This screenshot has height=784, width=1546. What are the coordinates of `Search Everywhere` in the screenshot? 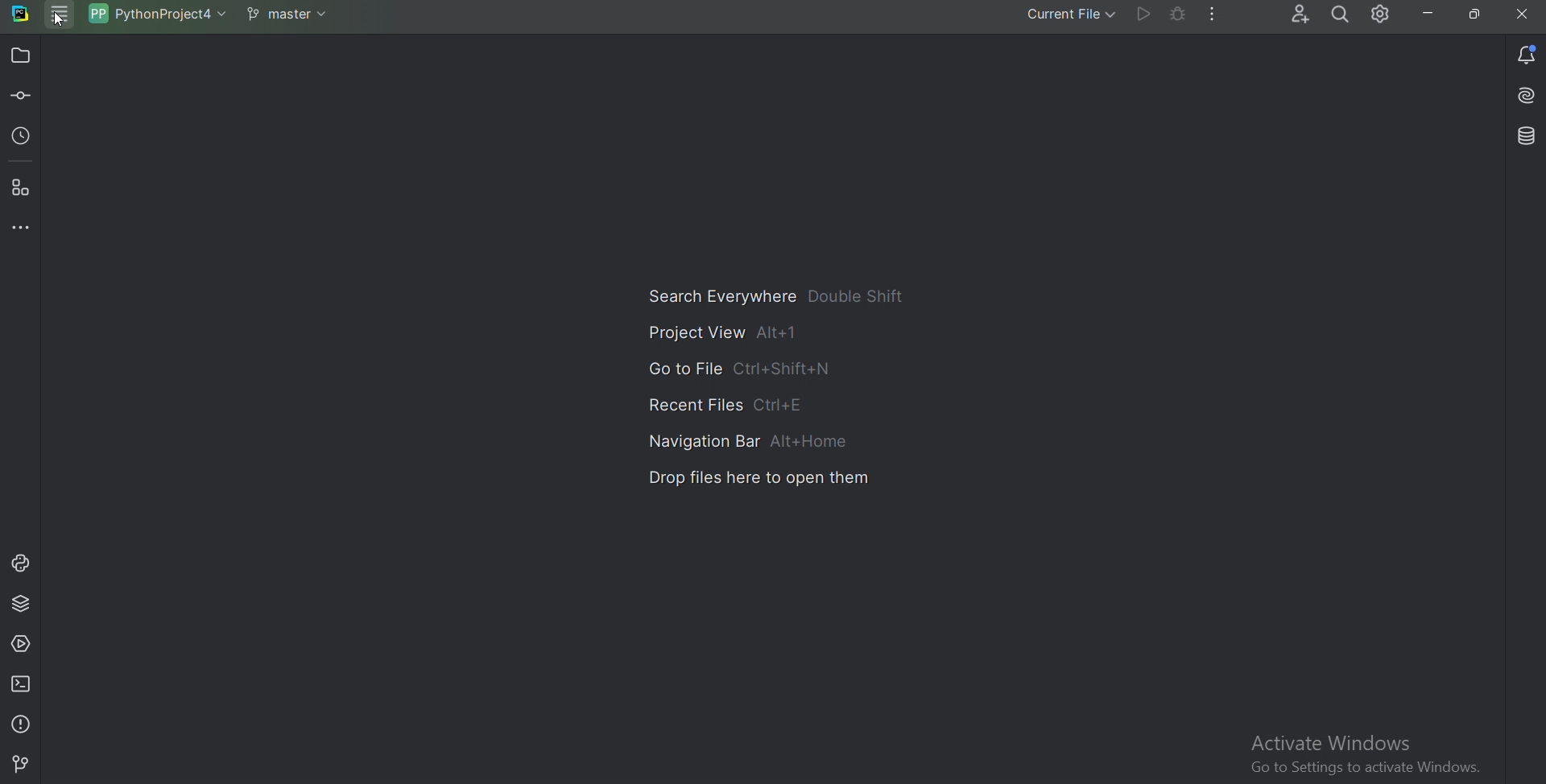 It's located at (784, 295).